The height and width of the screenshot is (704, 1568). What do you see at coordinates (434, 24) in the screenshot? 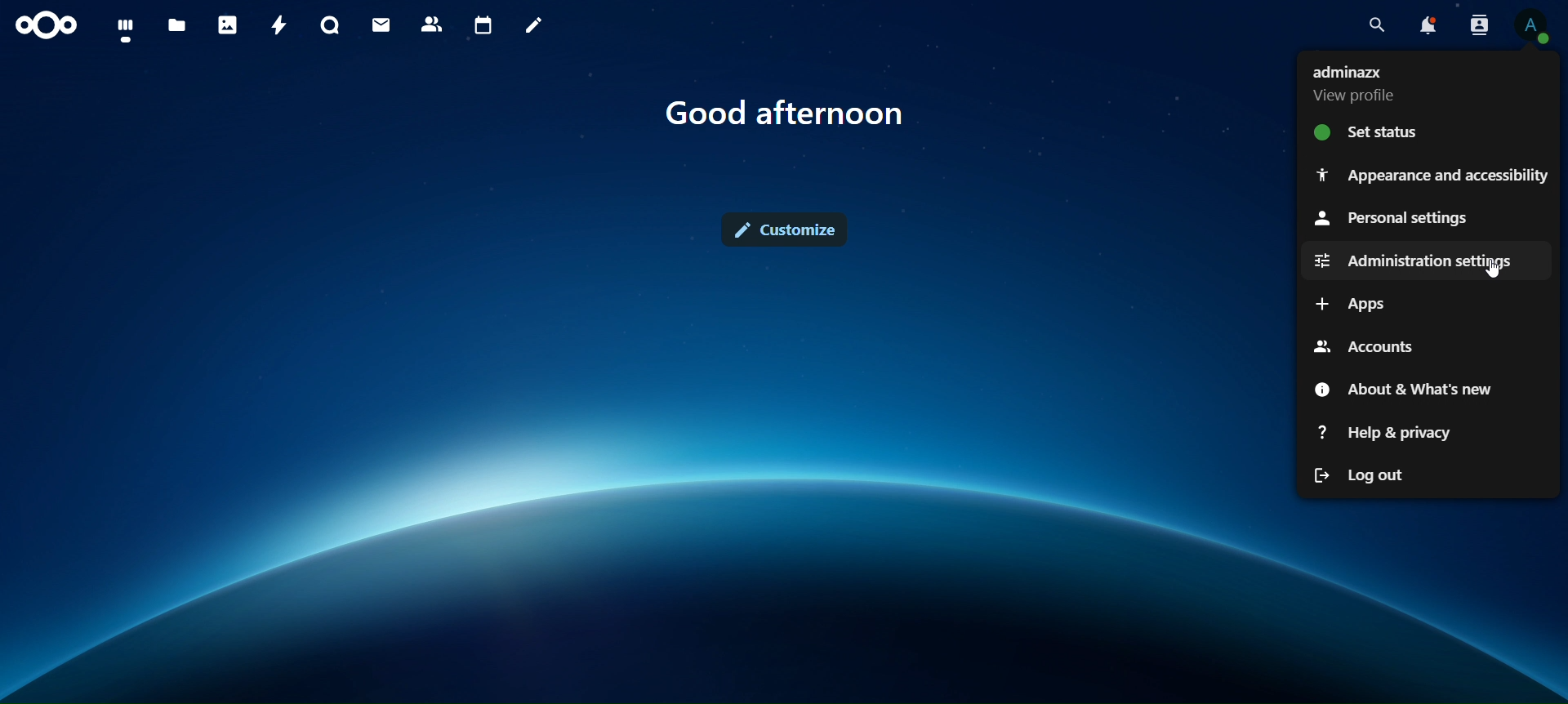
I see `contacts` at bounding box center [434, 24].